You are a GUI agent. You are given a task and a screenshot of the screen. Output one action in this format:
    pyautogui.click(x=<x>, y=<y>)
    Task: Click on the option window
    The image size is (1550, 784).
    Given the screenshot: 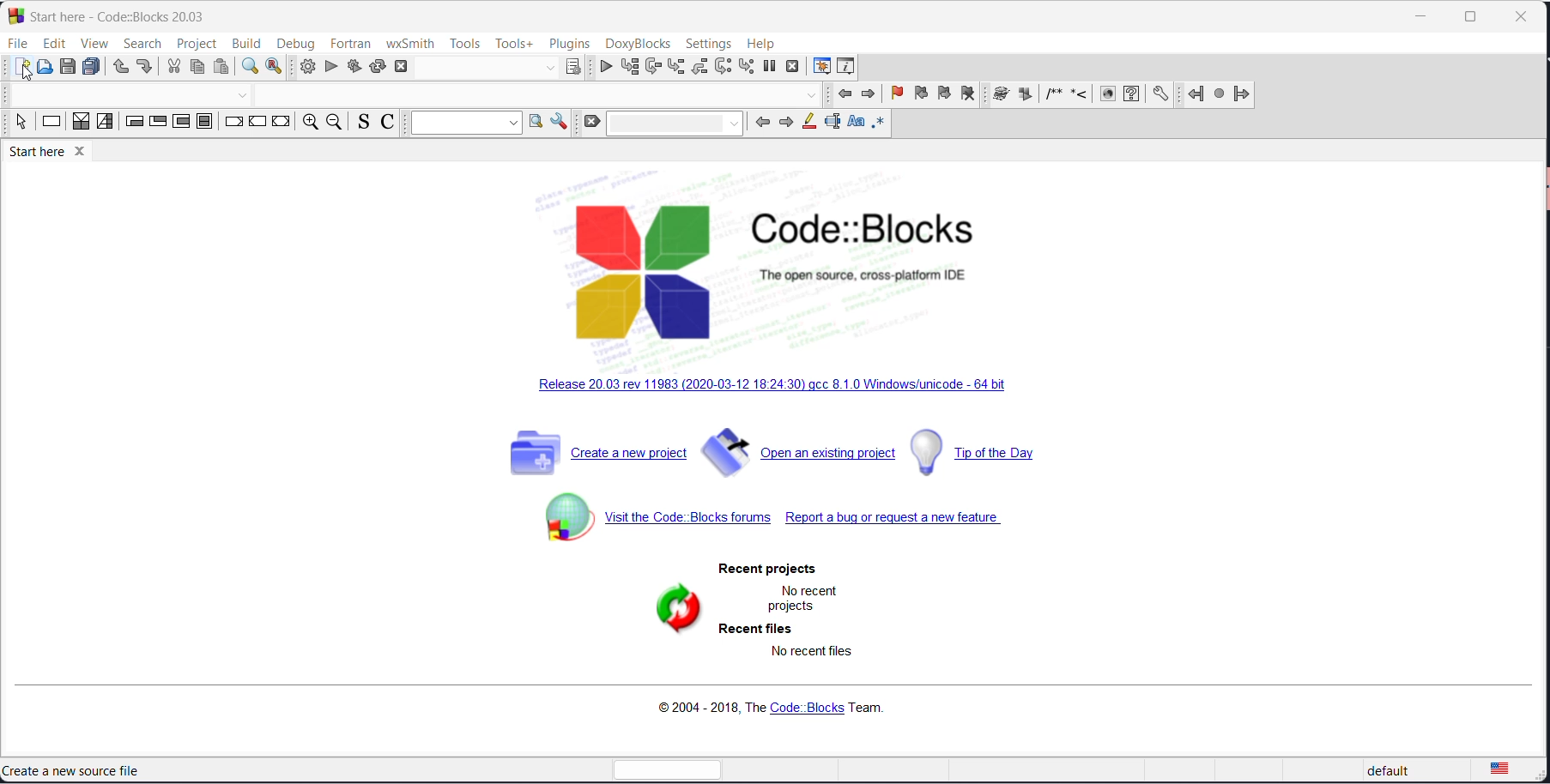 What is the action you would take?
    pyautogui.click(x=560, y=124)
    